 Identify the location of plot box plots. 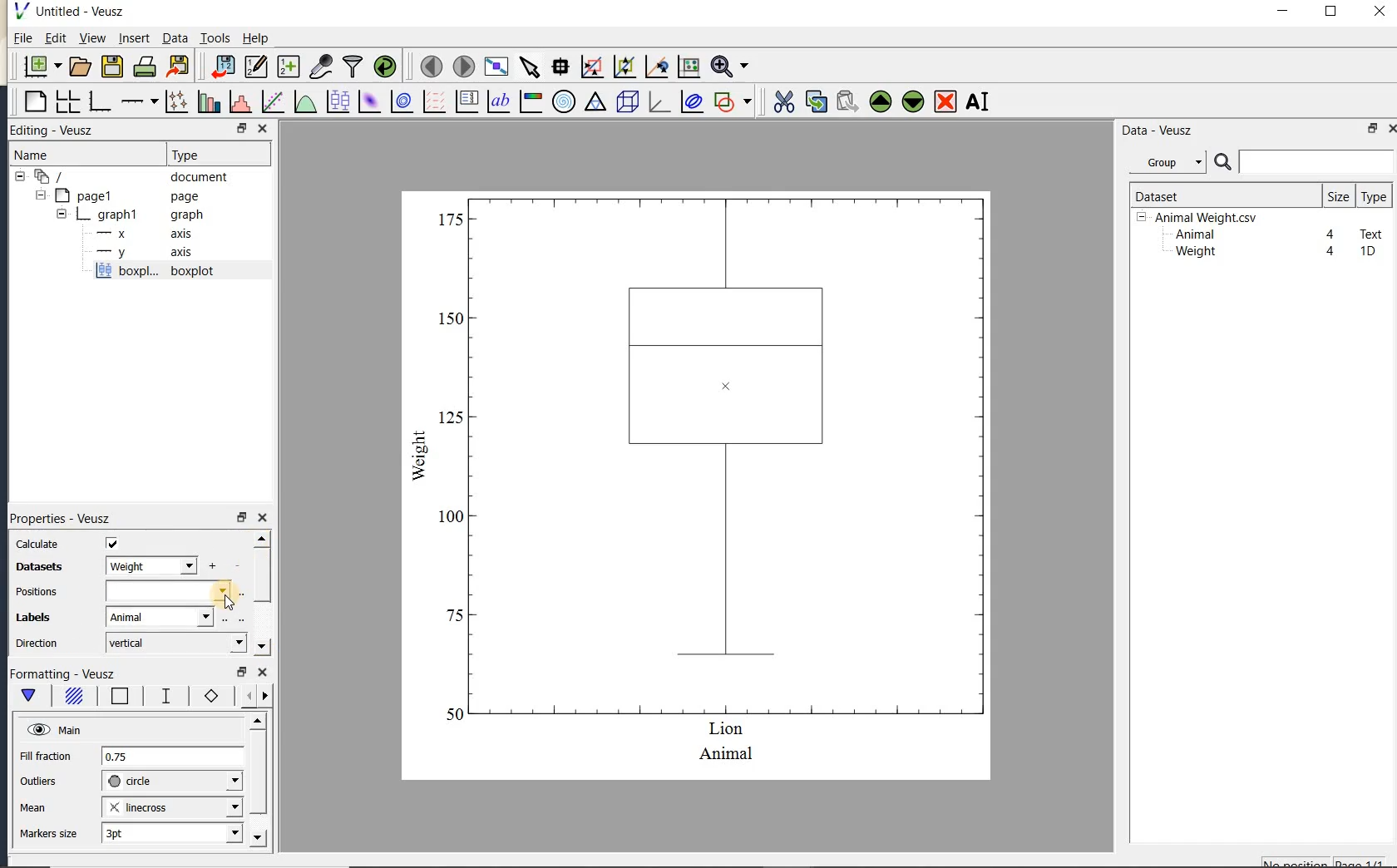
(335, 102).